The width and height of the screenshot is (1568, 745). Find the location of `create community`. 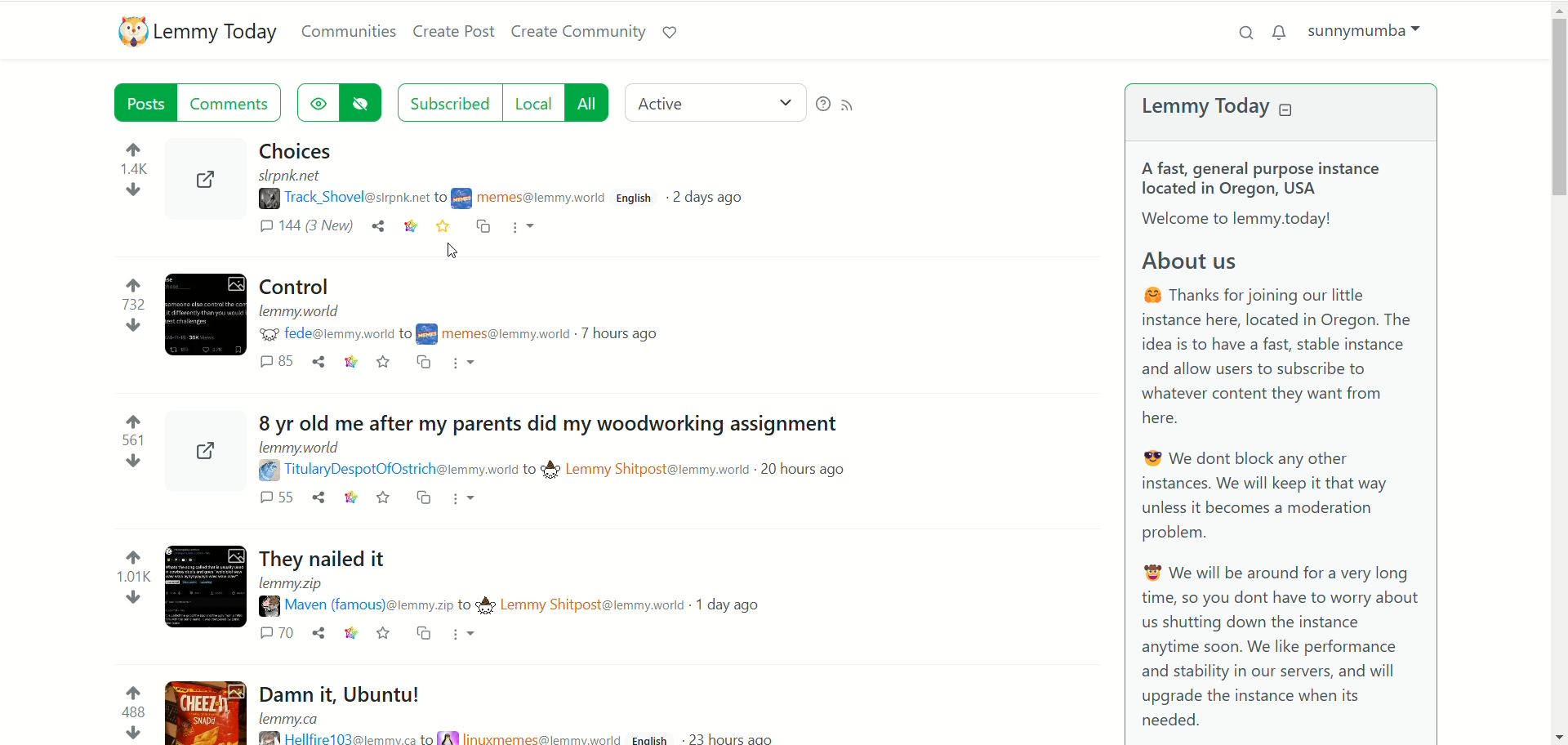

create community is located at coordinates (579, 33).